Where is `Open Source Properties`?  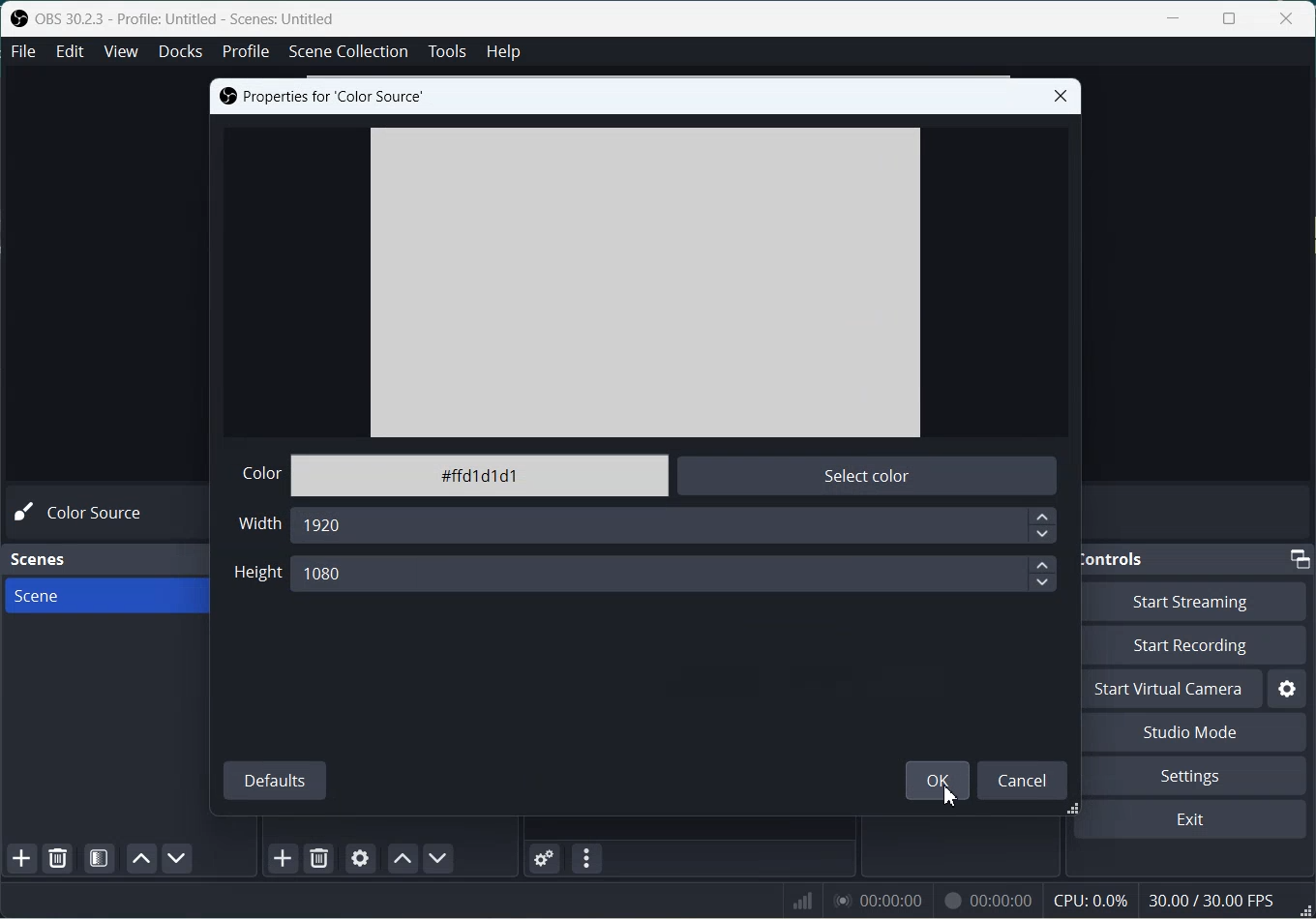
Open Source Properties is located at coordinates (360, 856).